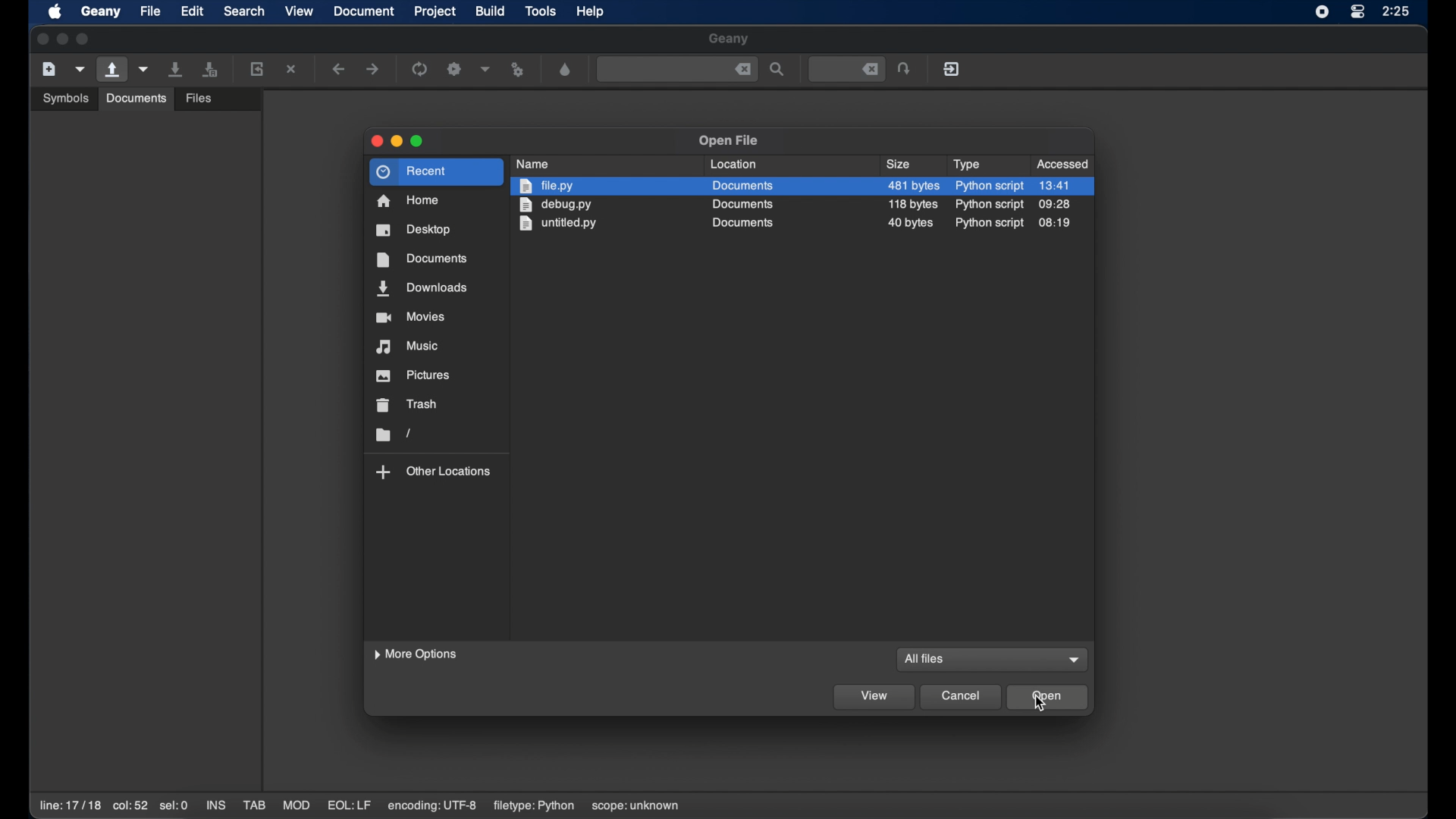 Image resolution: width=1456 pixels, height=819 pixels. What do you see at coordinates (778, 70) in the screenshot?
I see `search` at bounding box center [778, 70].